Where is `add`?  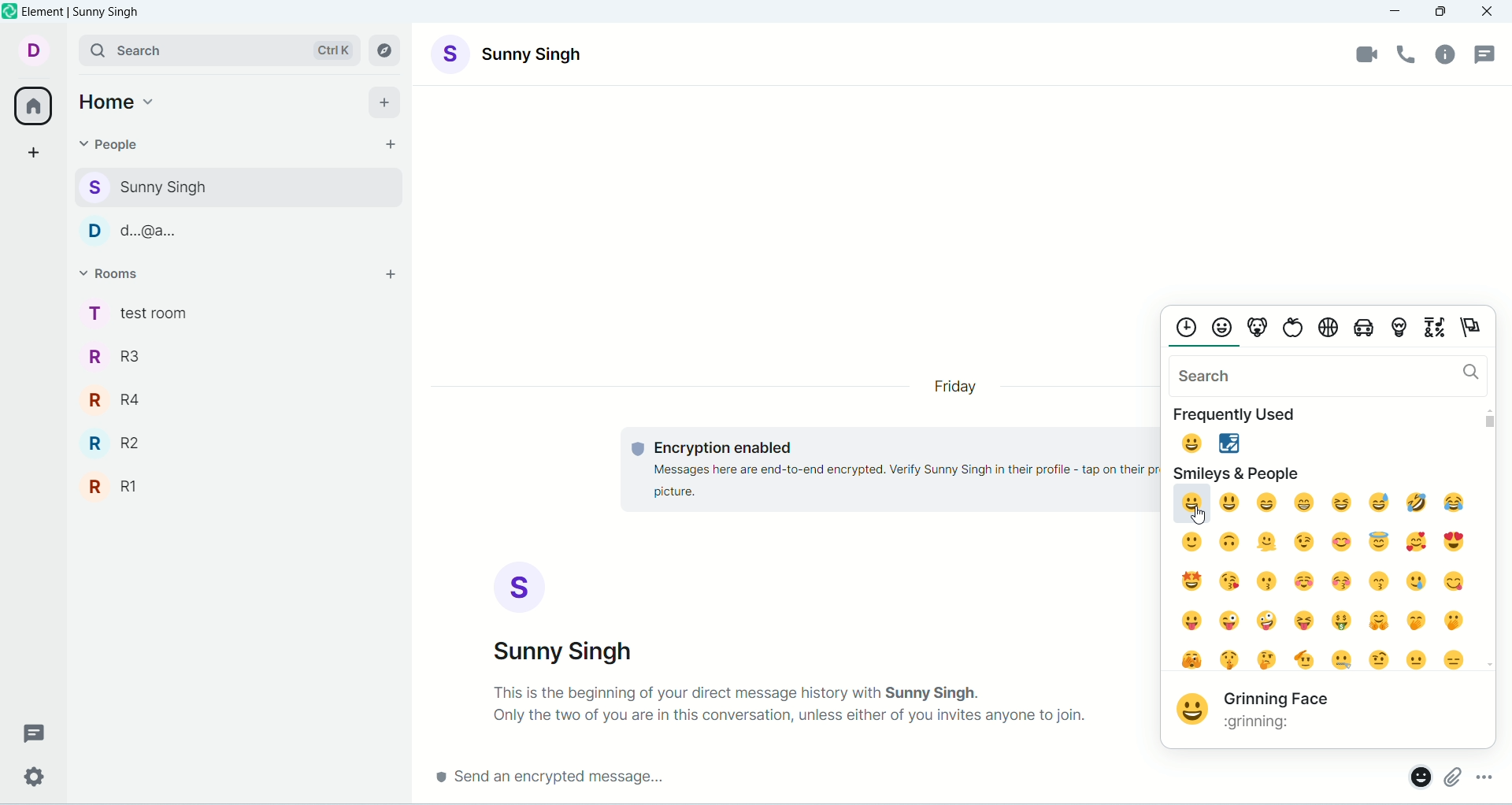 add is located at coordinates (389, 101).